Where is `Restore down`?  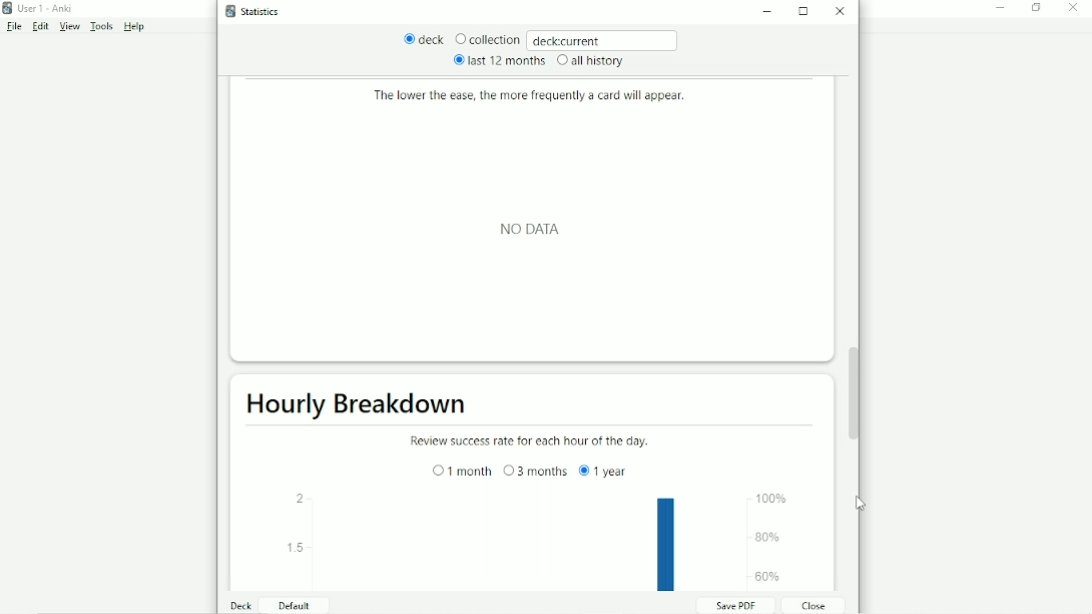 Restore down is located at coordinates (1037, 8).